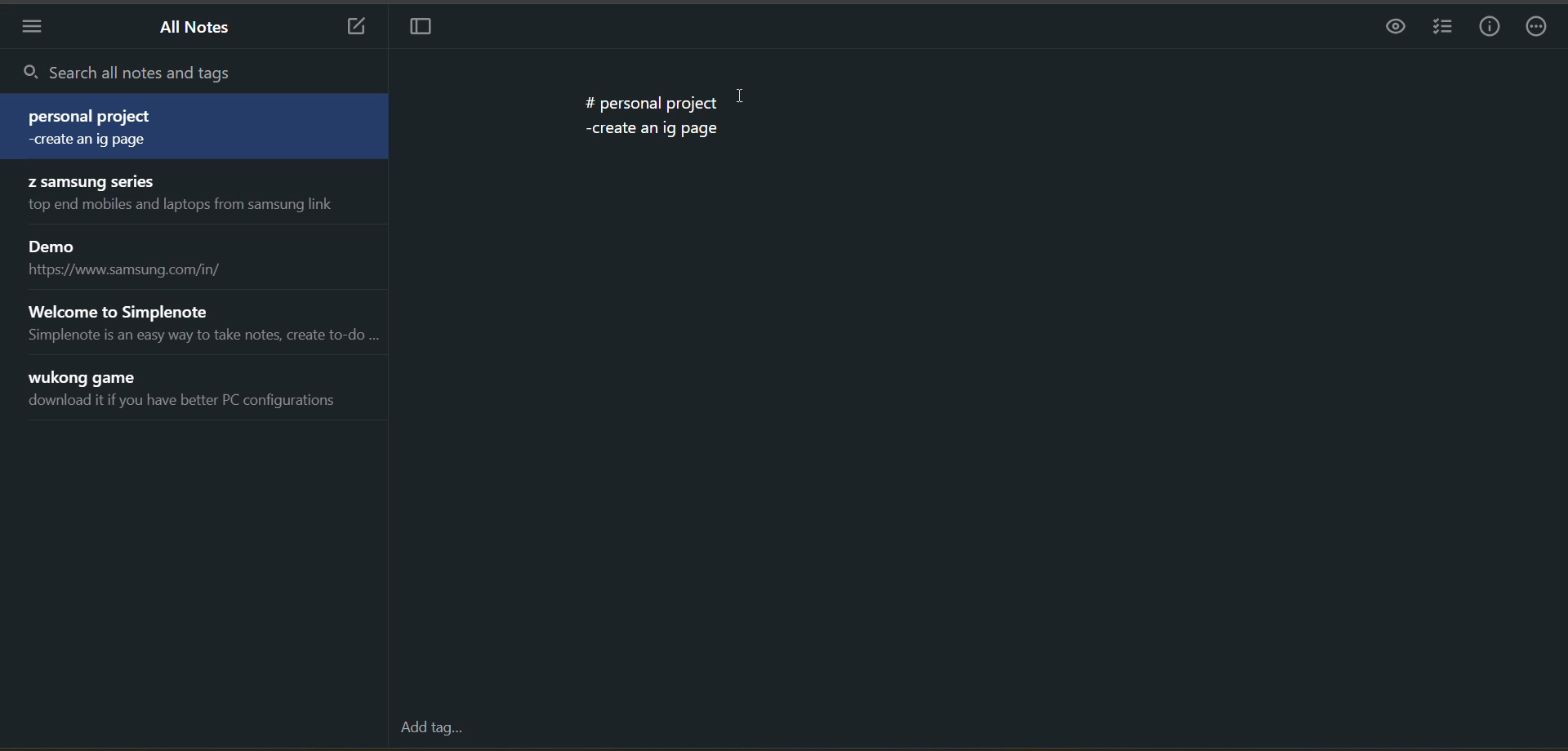  I want to click on note title and preview, so click(189, 125).